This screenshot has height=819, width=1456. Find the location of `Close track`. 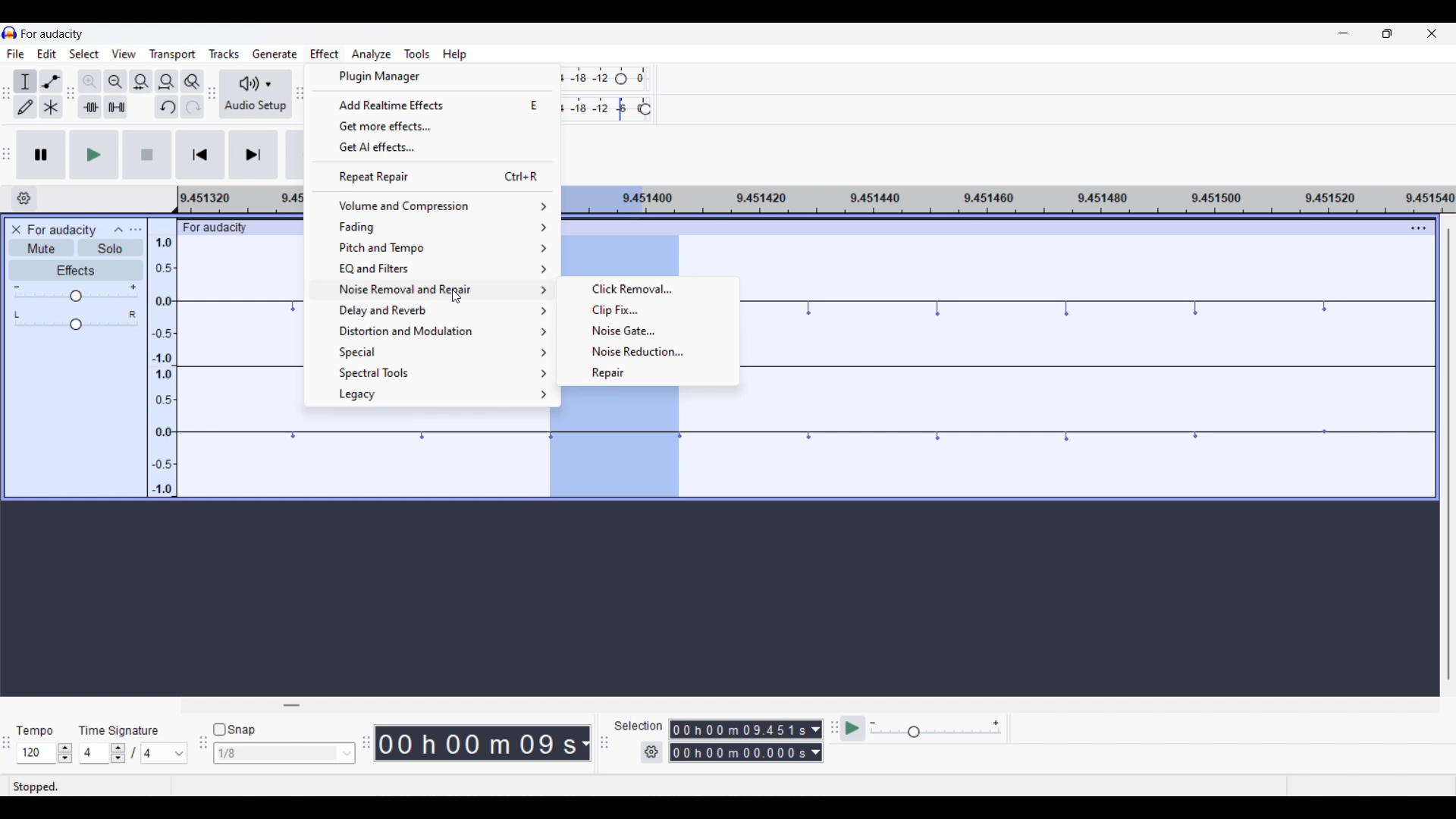

Close track is located at coordinates (17, 230).